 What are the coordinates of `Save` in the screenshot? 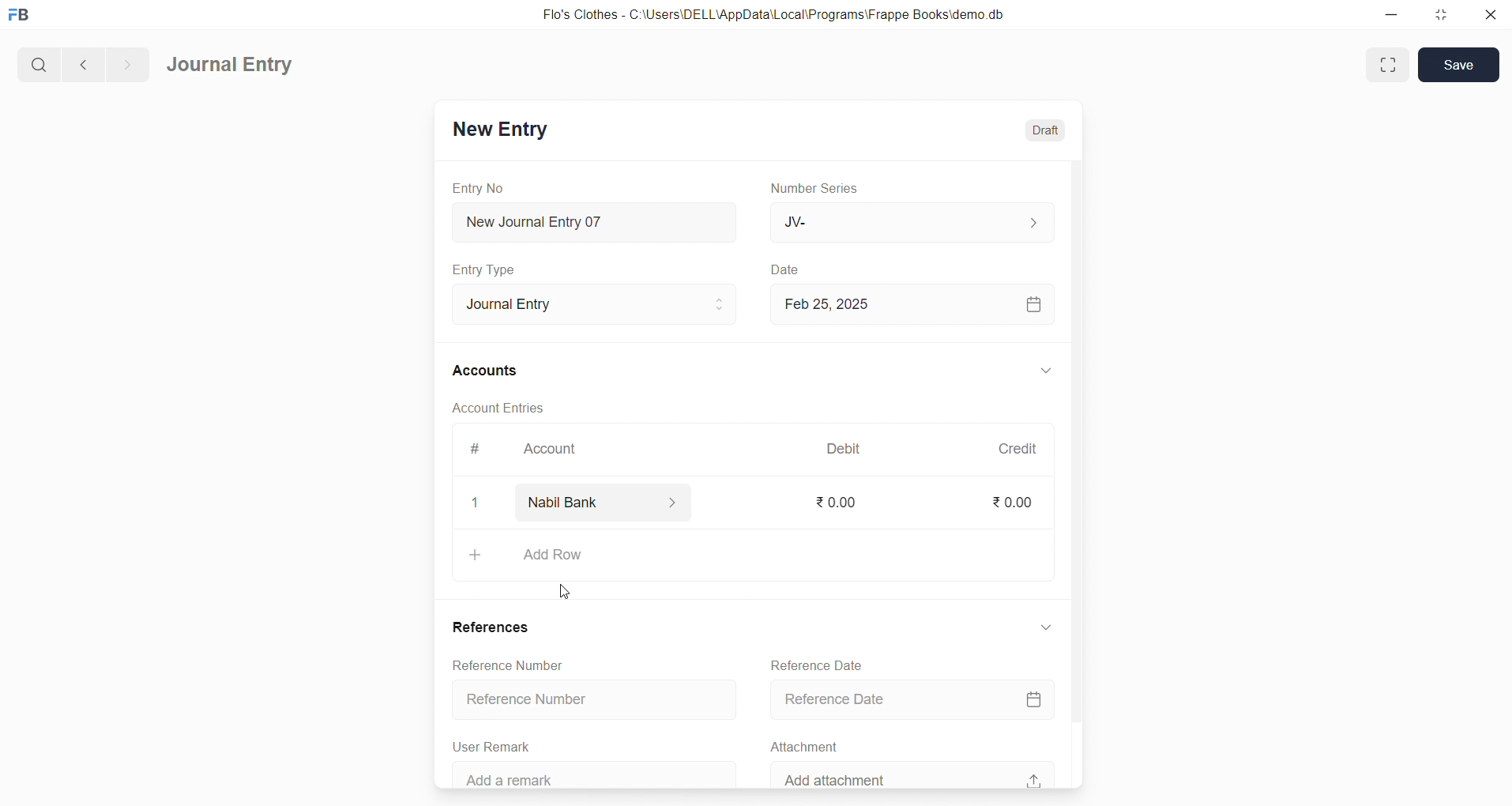 It's located at (1459, 65).